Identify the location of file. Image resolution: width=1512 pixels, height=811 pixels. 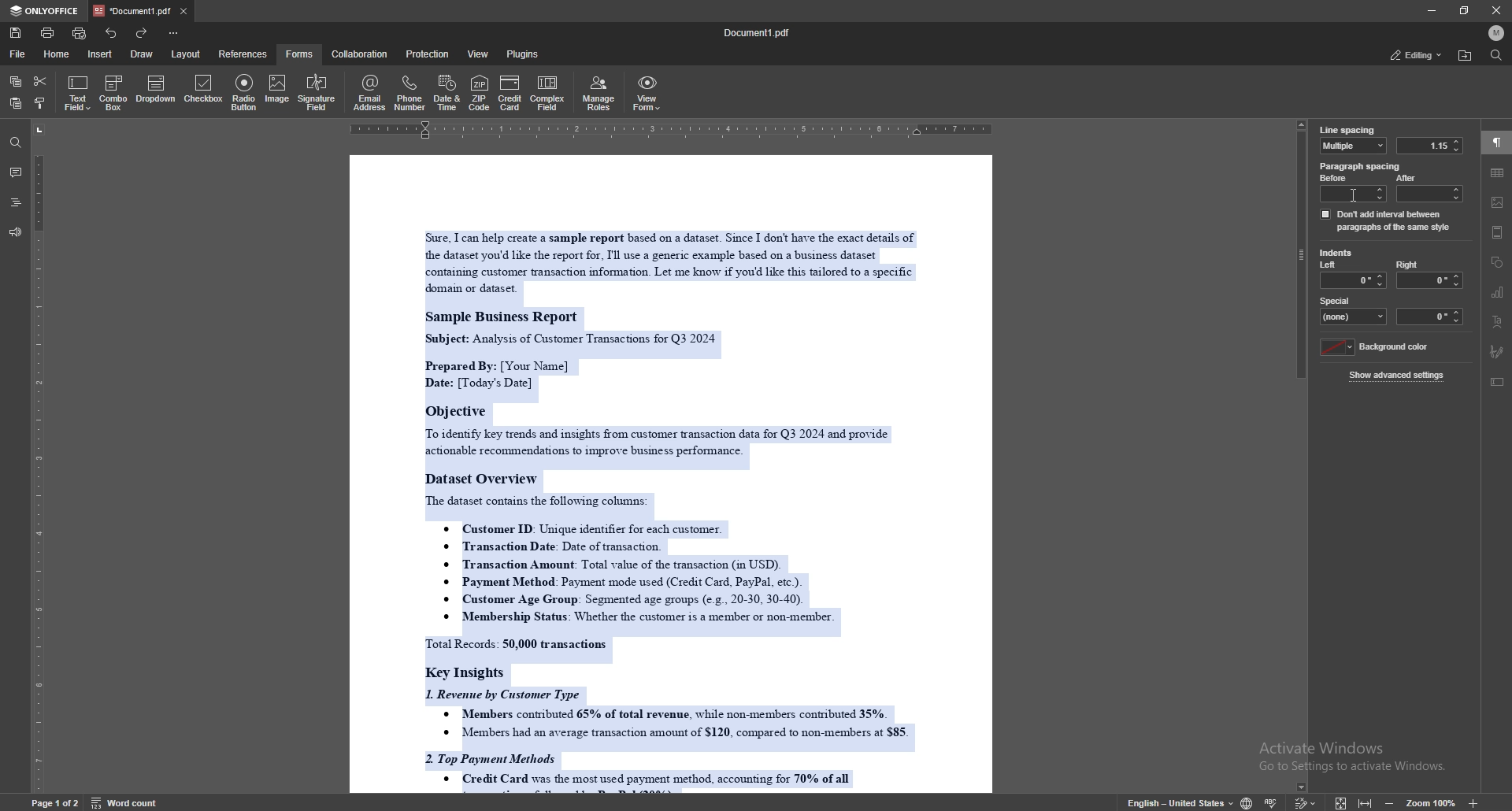
(18, 54).